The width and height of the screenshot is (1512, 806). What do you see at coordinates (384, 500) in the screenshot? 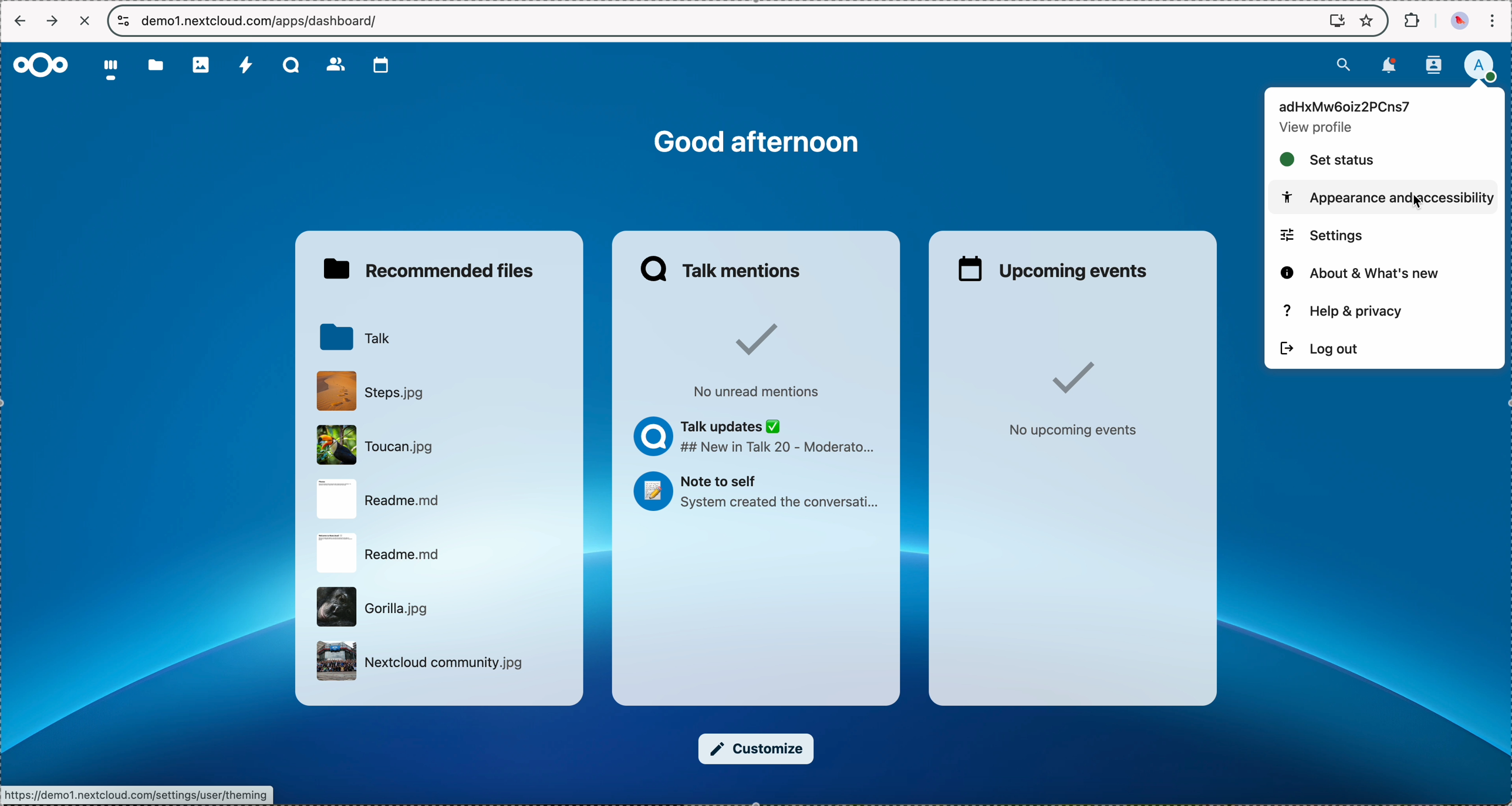
I see `file` at bounding box center [384, 500].